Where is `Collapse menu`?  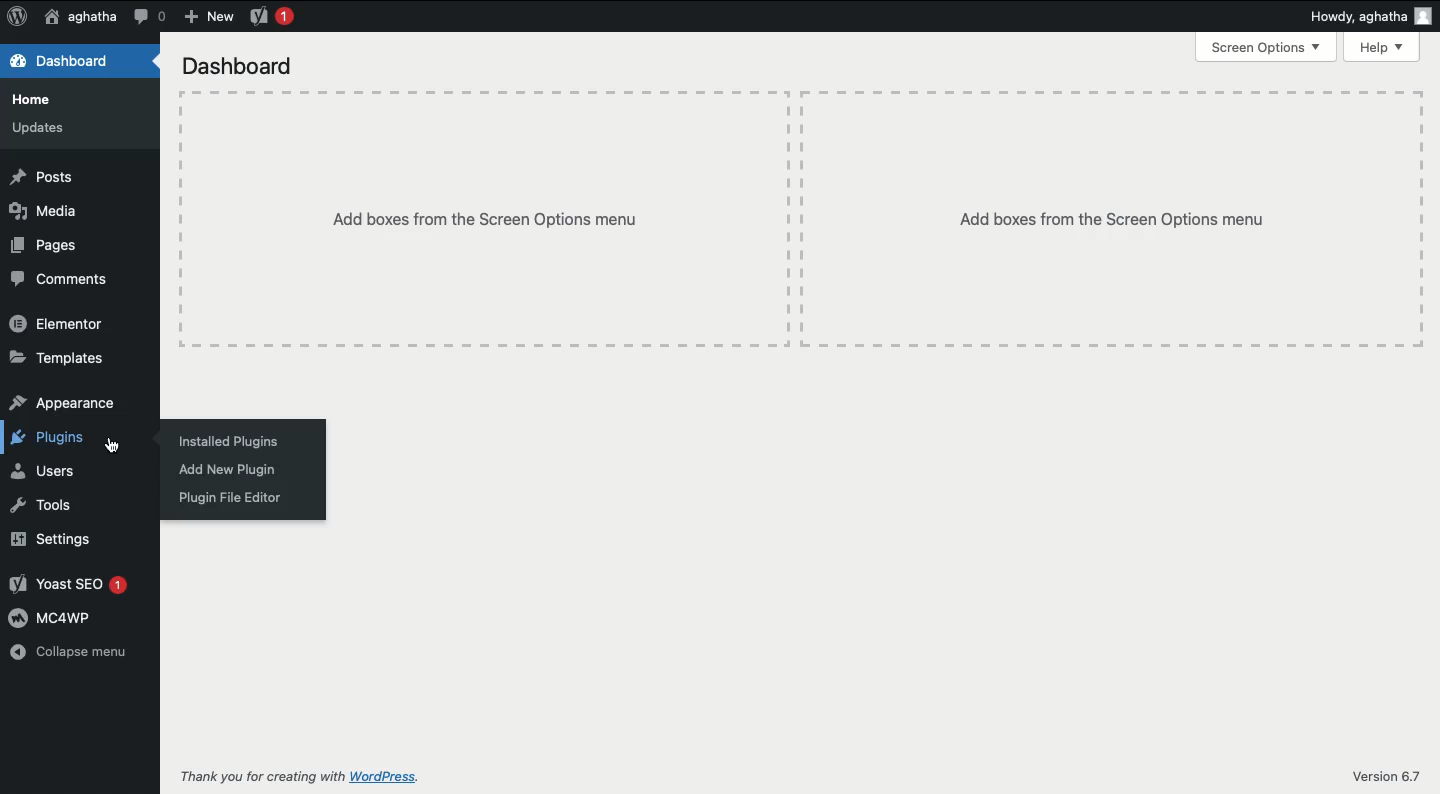
Collapse menu is located at coordinates (72, 653).